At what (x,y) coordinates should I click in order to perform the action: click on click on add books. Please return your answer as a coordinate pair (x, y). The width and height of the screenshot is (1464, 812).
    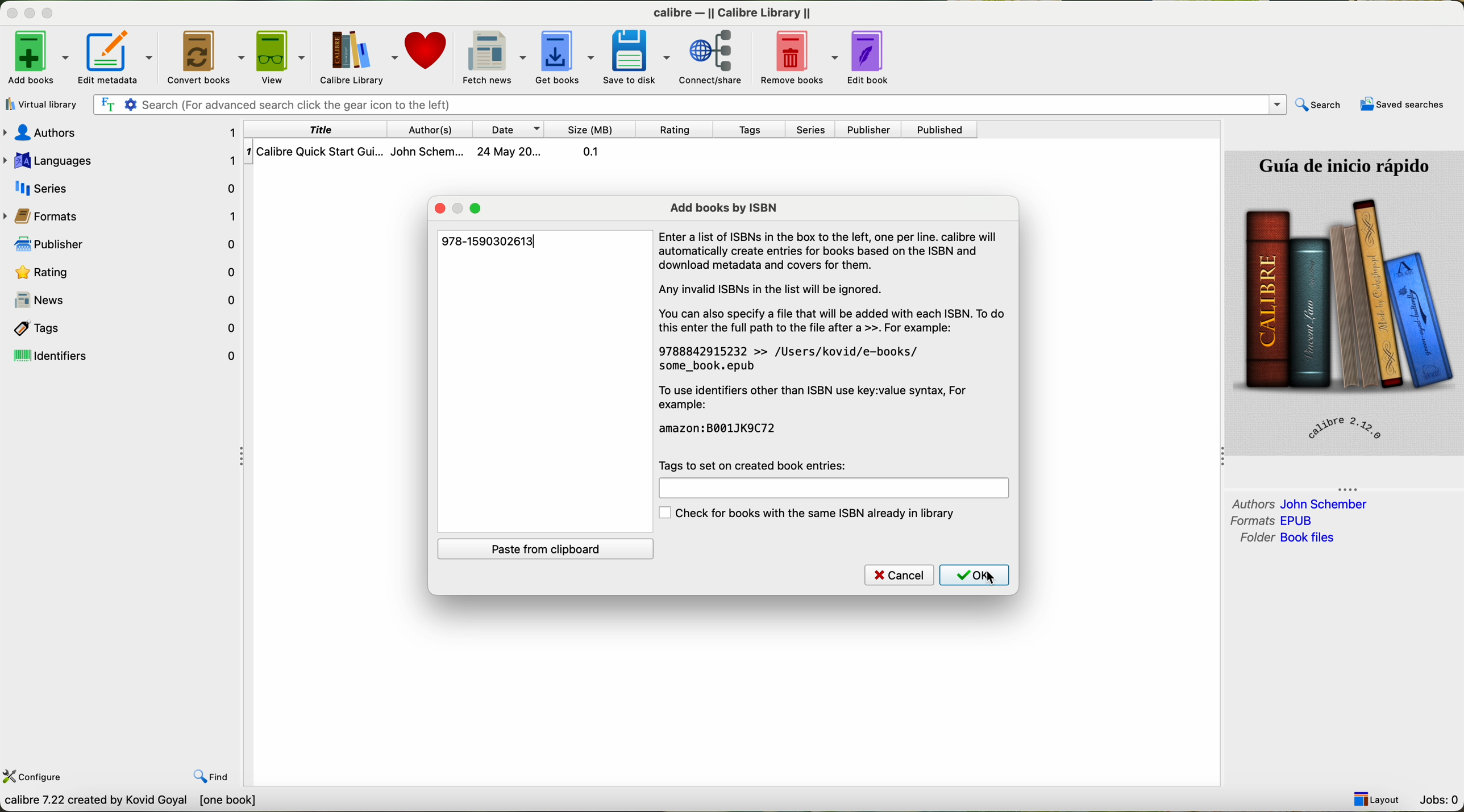
    Looking at the image, I should click on (38, 56).